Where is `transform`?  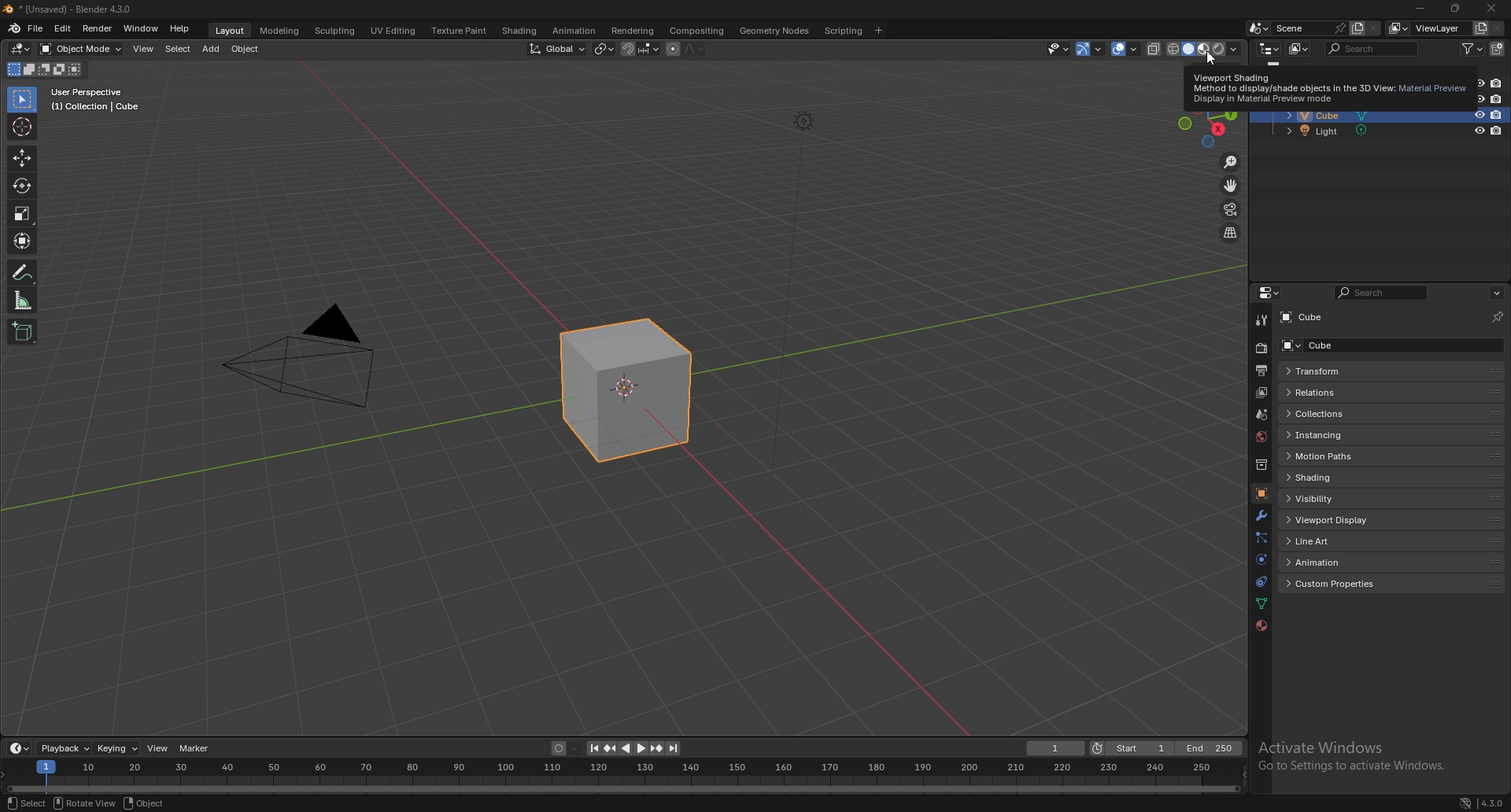 transform is located at coordinates (22, 240).